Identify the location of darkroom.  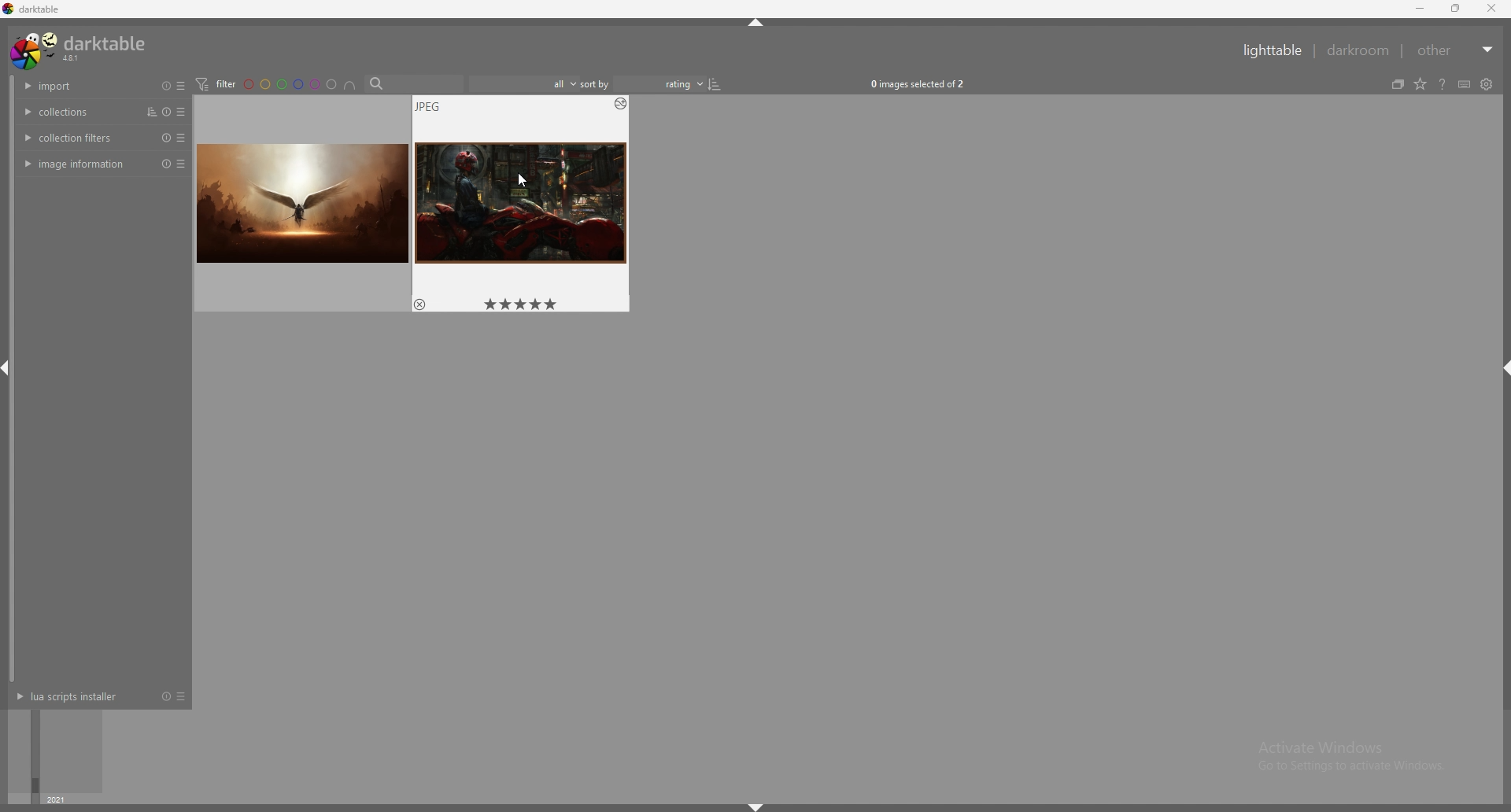
(1358, 50).